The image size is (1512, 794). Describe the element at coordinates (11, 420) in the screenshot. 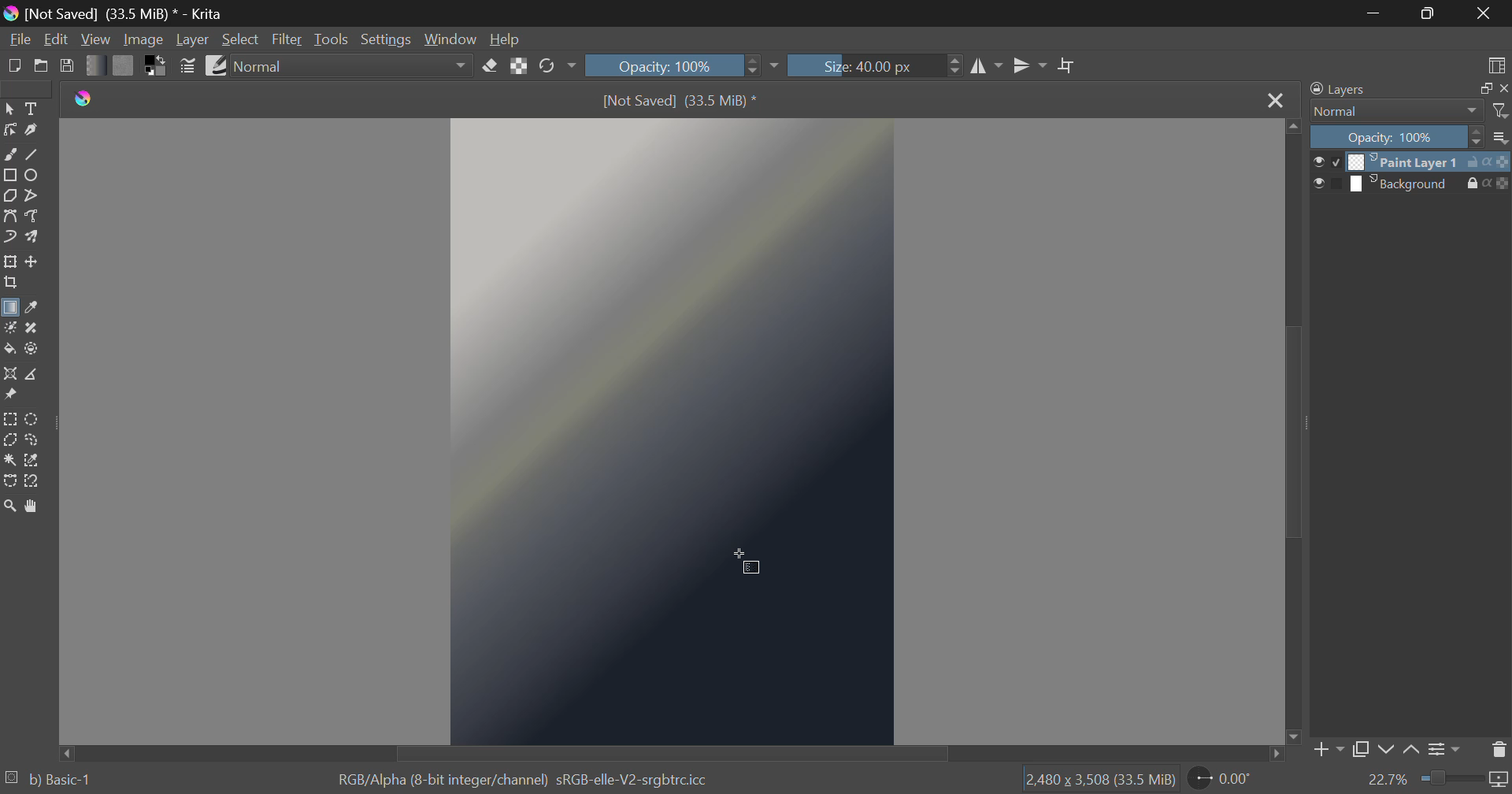

I see `Rectangular Selection` at that location.